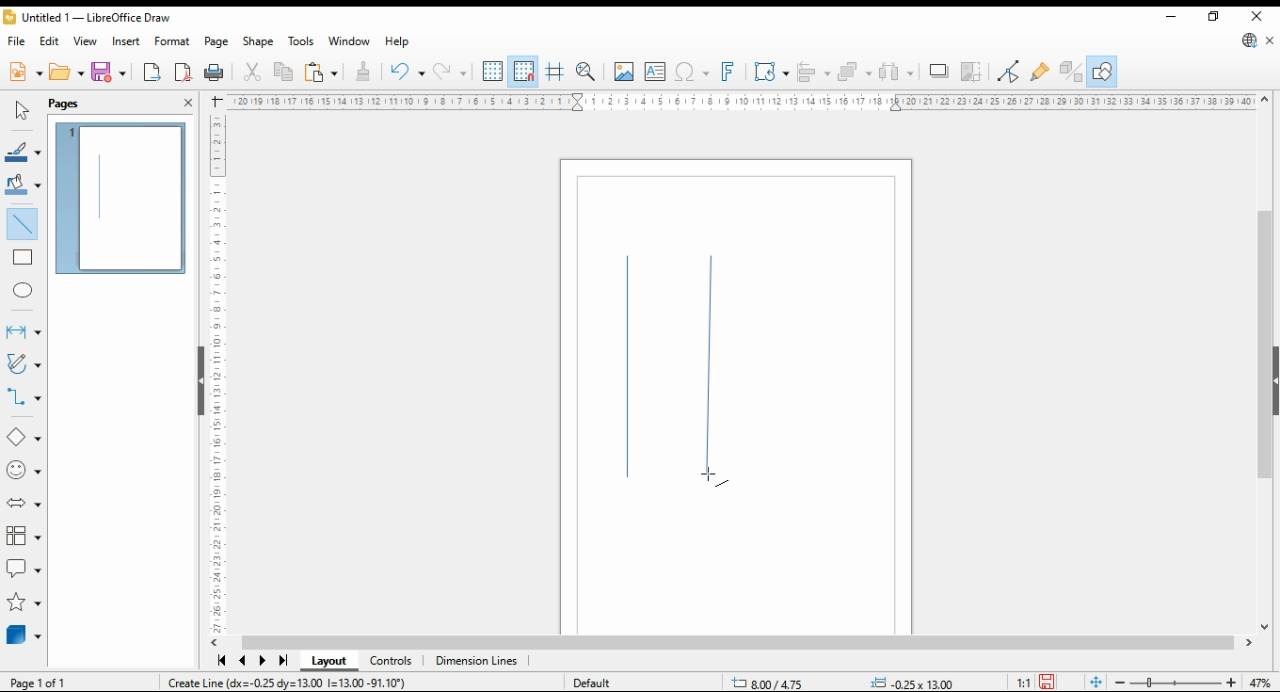 Image resolution: width=1280 pixels, height=692 pixels. Describe the element at coordinates (1270, 41) in the screenshot. I see `close document` at that location.